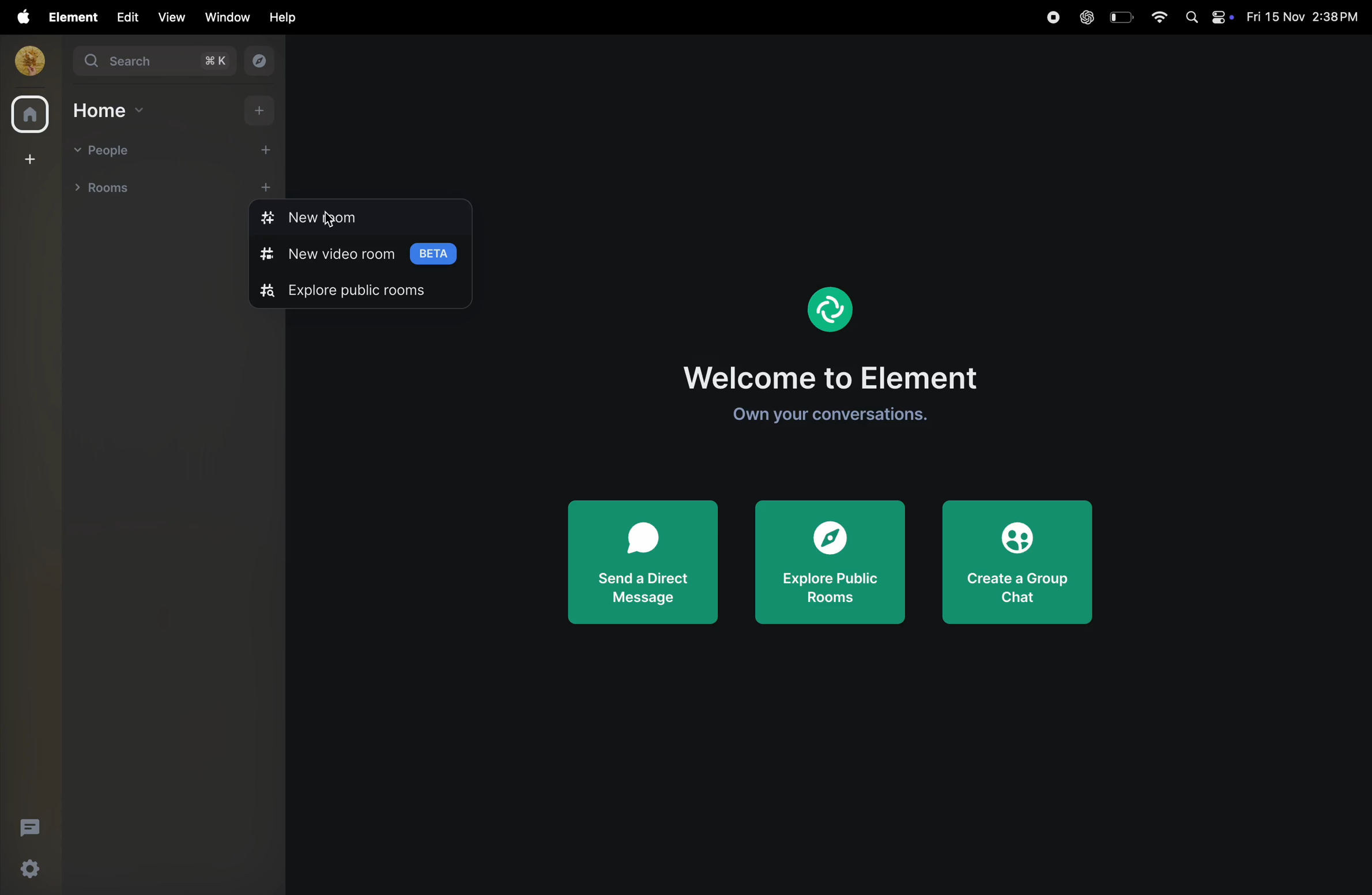 The image size is (1372, 895). I want to click on wifi, so click(1155, 16).